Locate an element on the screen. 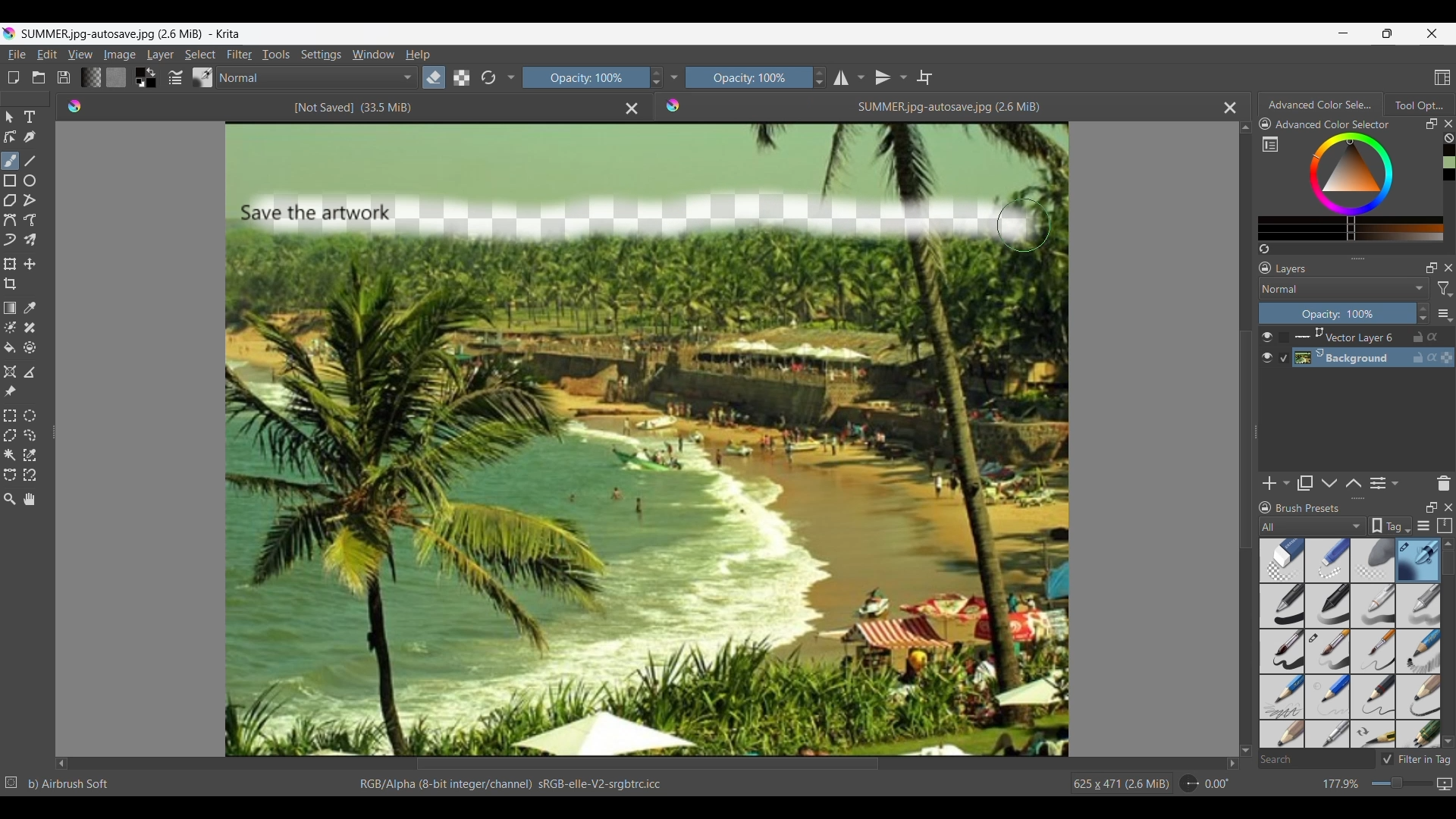  Select shapes tool is located at coordinates (9, 118).